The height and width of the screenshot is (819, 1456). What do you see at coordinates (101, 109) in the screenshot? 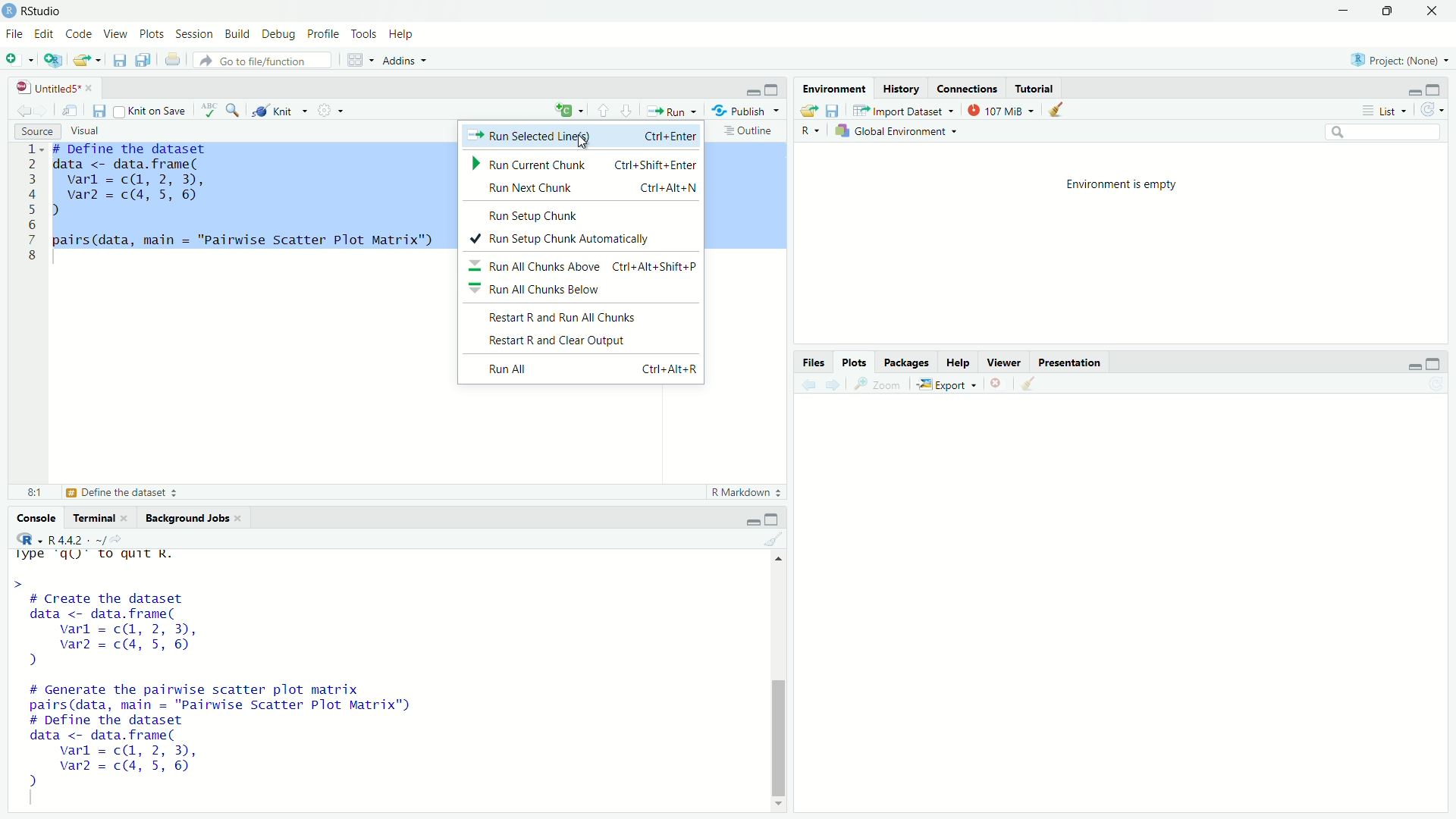
I see `Save current document (Ctrl + S)` at bounding box center [101, 109].